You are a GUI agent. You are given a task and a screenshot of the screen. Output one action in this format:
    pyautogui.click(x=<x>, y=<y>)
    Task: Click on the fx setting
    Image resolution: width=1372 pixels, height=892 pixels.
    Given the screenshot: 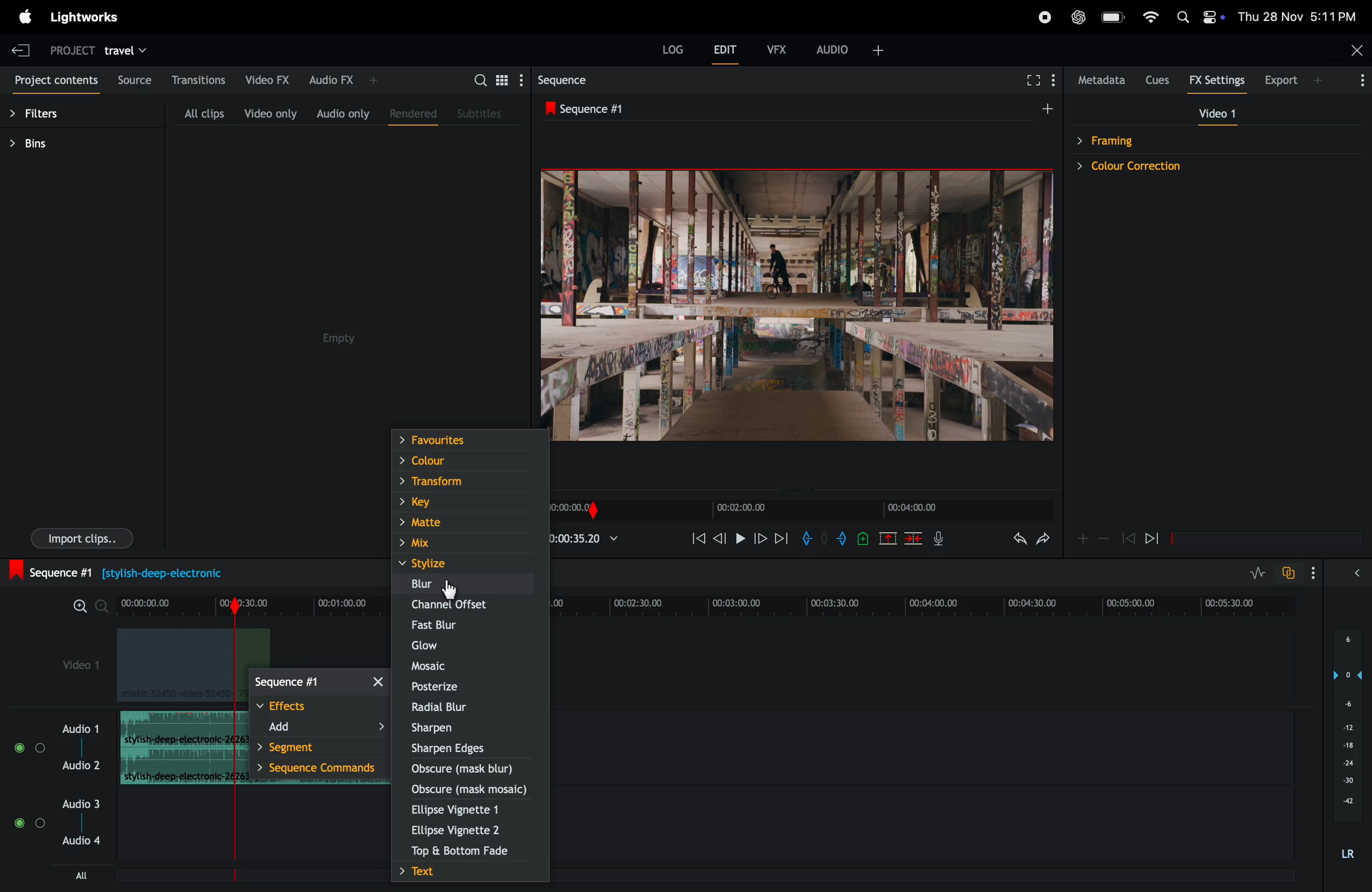 What is the action you would take?
    pyautogui.click(x=1215, y=81)
    